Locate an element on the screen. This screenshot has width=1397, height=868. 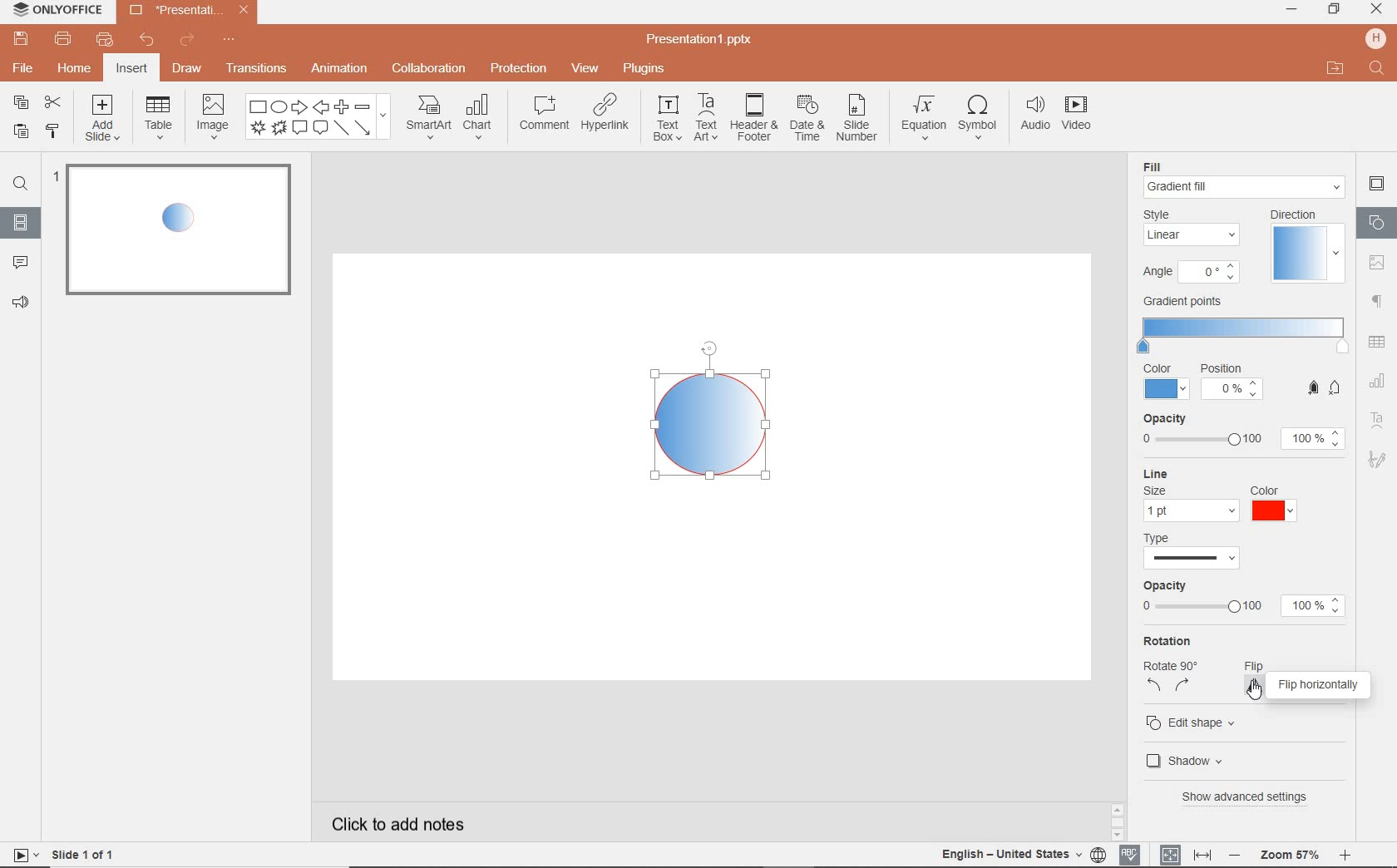
size is located at coordinates (1155, 491).